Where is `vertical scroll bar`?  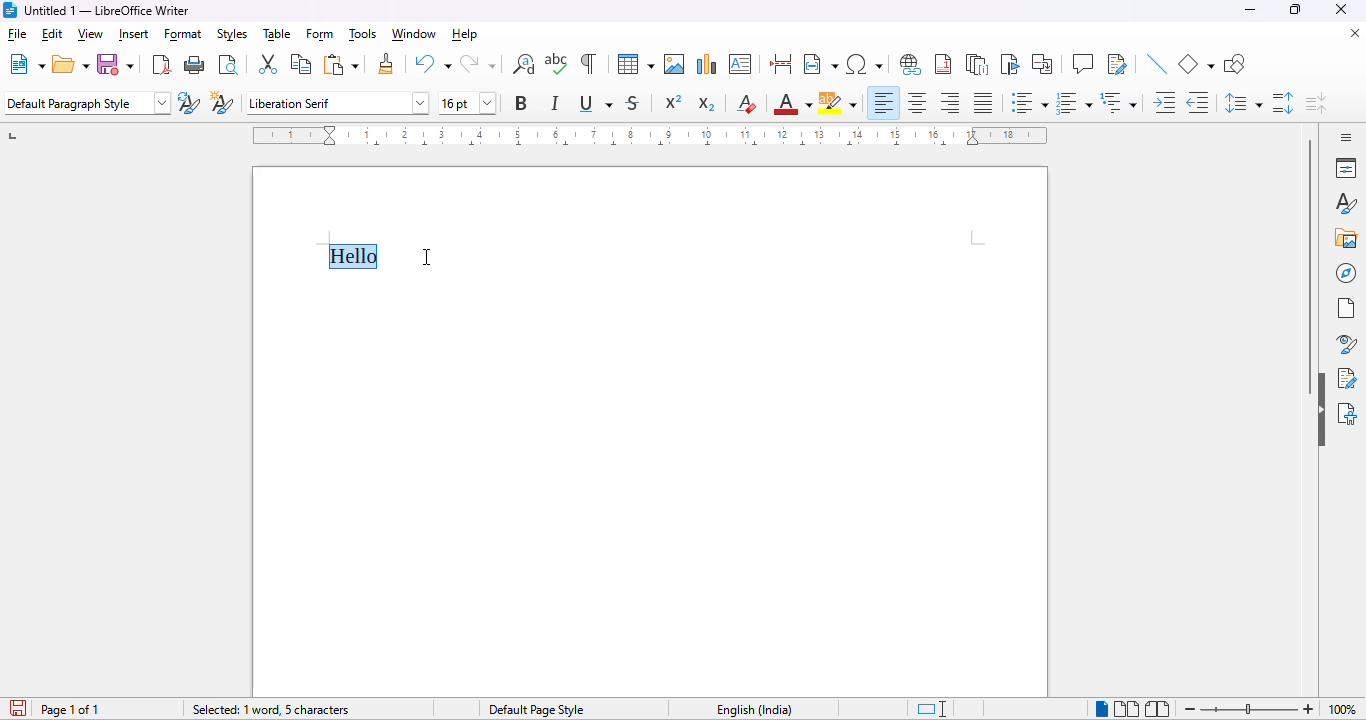 vertical scroll bar is located at coordinates (1311, 267).